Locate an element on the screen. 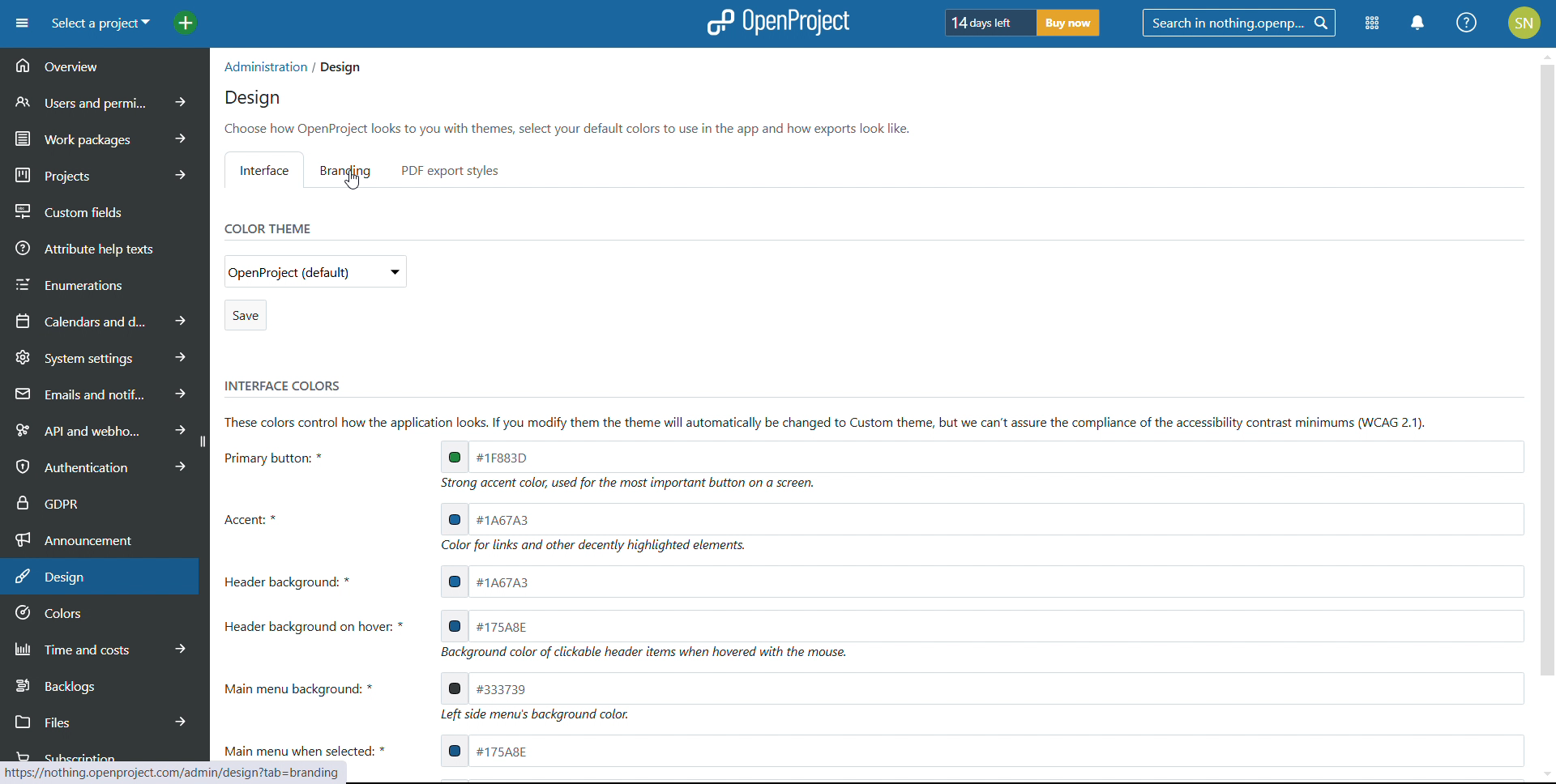 Image resolution: width=1556 pixels, height=784 pixels. logo is located at coordinates (776, 23).